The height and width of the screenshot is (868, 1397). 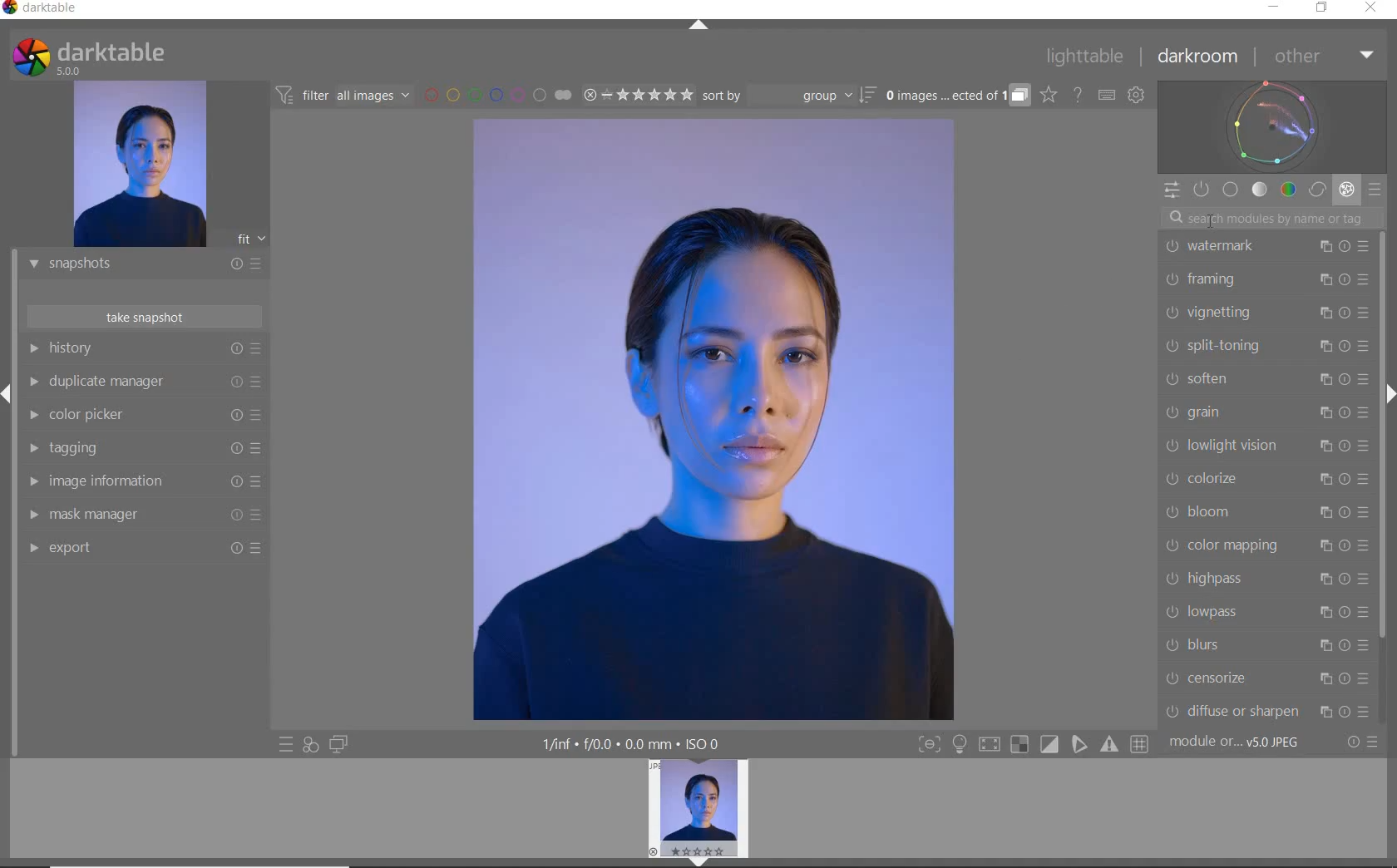 I want to click on Cursor, so click(x=1211, y=219).